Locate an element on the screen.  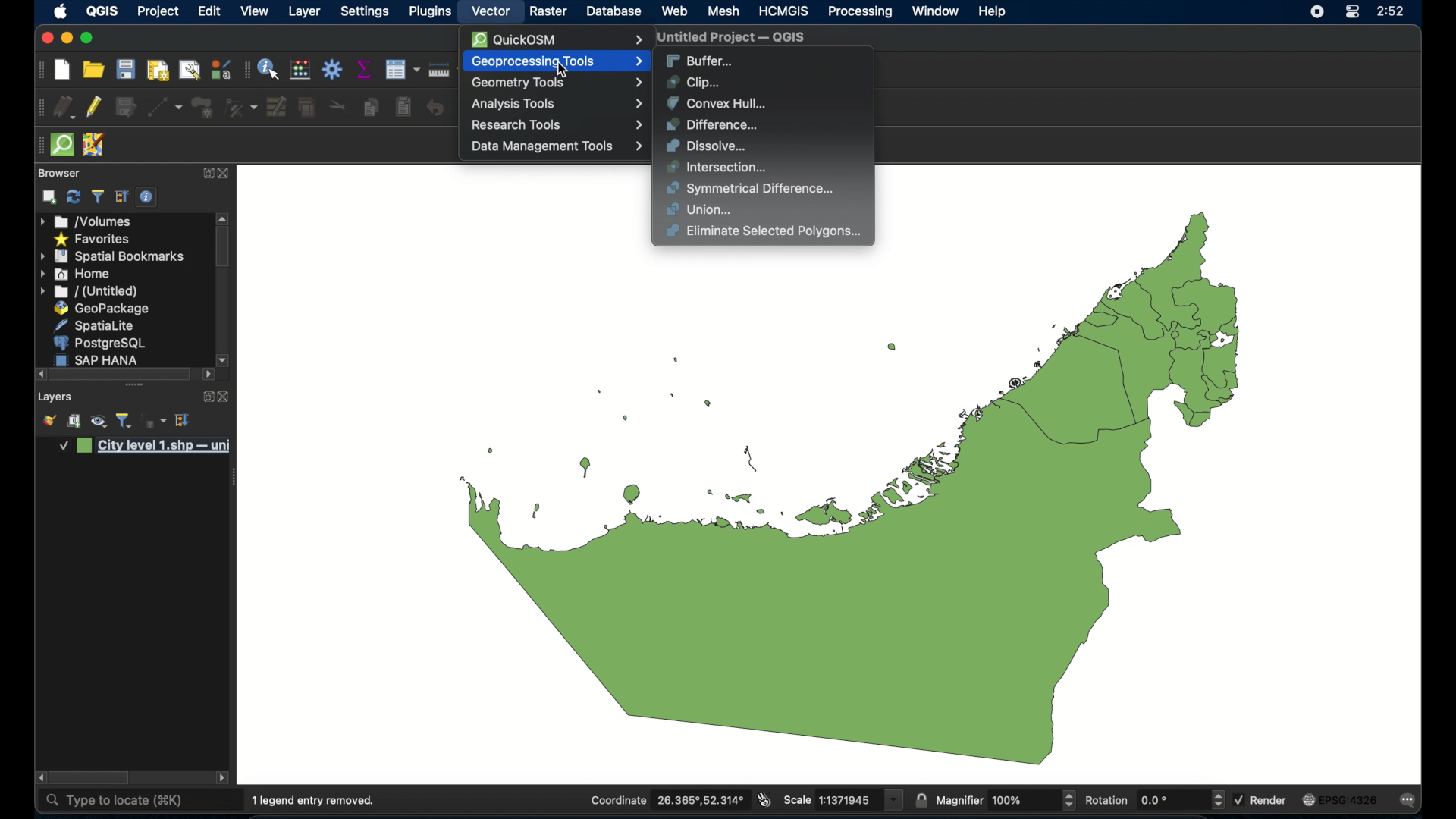
apple icon is located at coordinates (61, 11).